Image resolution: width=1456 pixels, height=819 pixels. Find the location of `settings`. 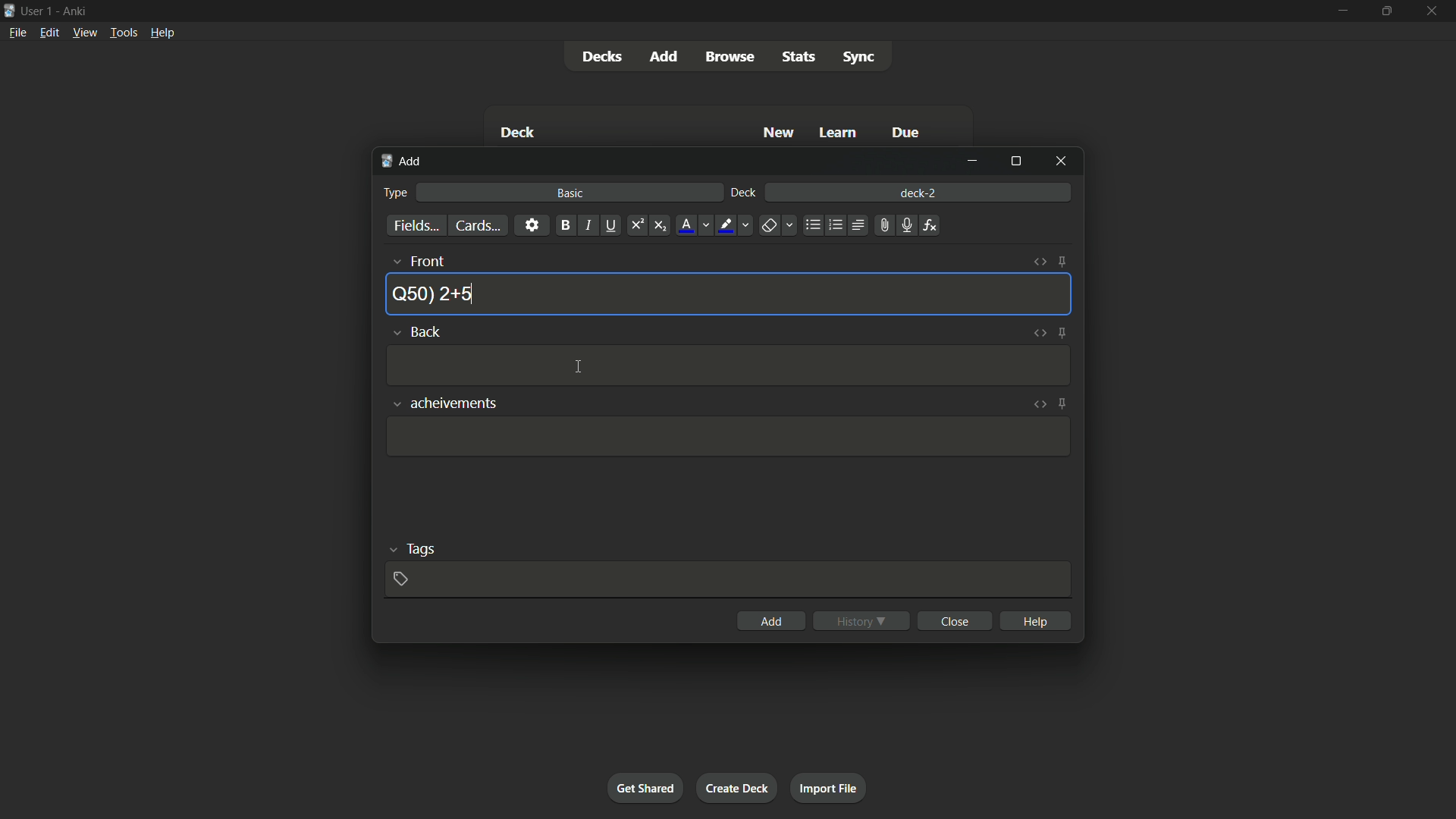

settings is located at coordinates (533, 225).